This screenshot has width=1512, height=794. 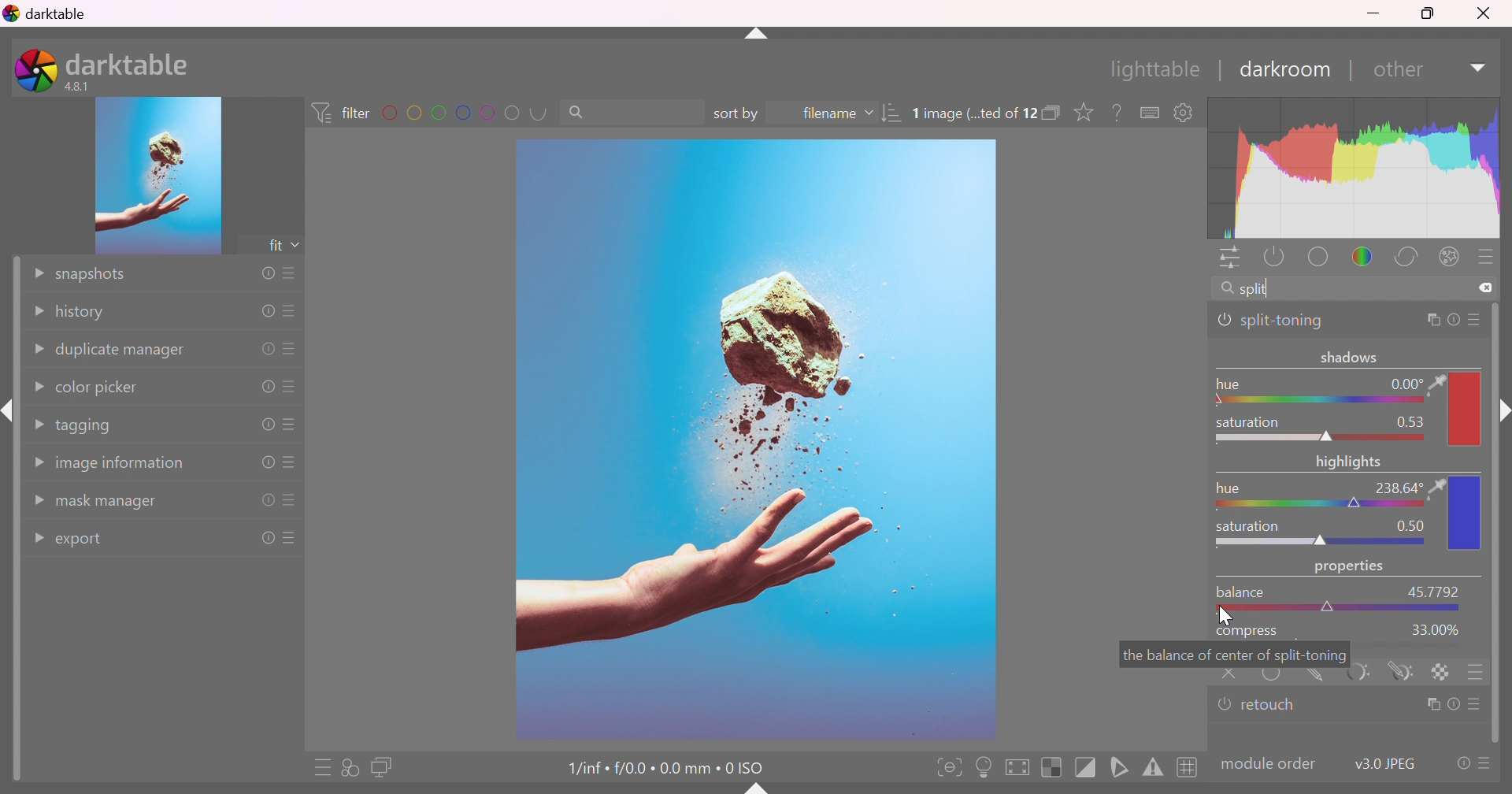 What do you see at coordinates (1364, 260) in the screenshot?
I see `color` at bounding box center [1364, 260].